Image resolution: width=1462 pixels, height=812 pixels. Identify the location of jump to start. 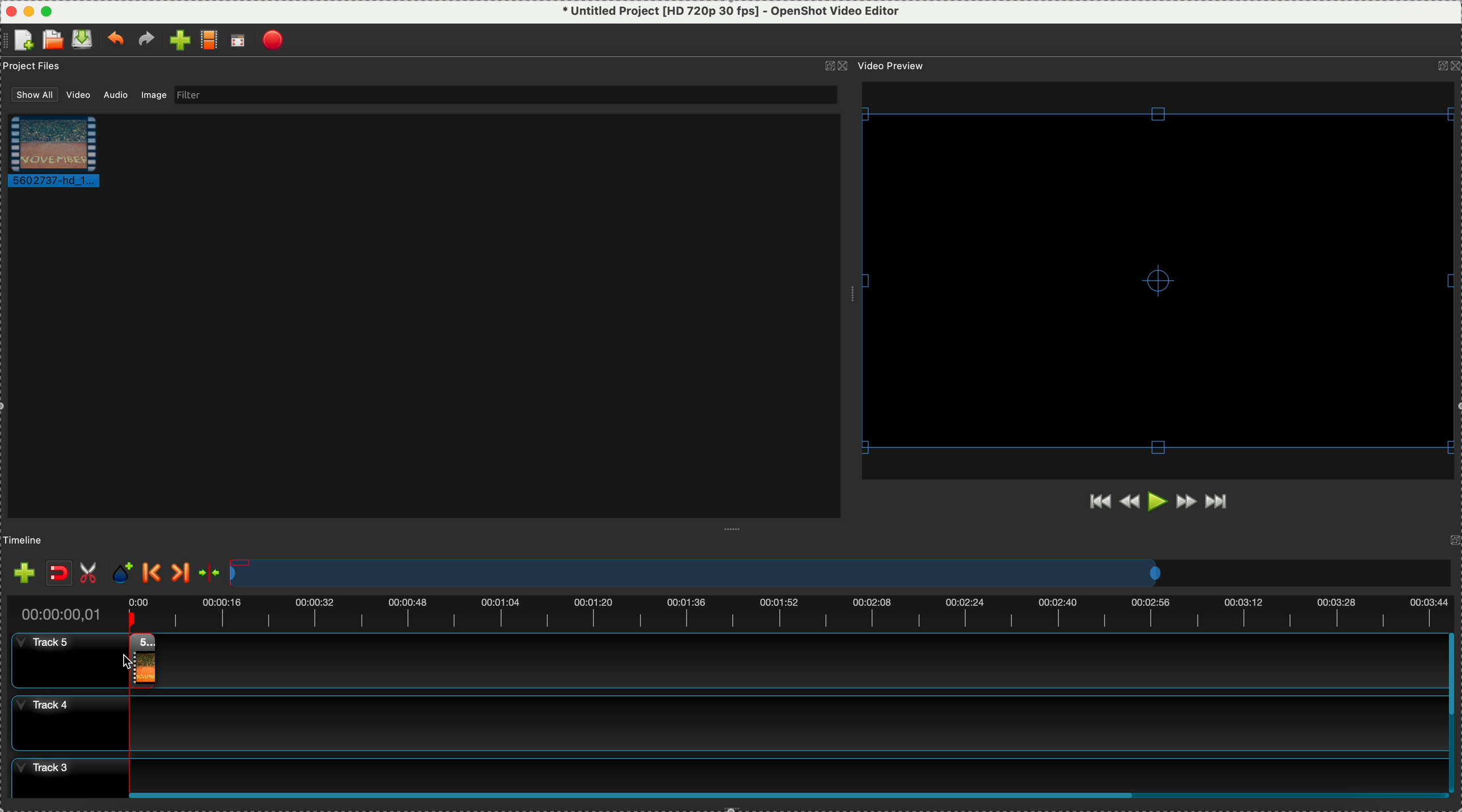
(1098, 500).